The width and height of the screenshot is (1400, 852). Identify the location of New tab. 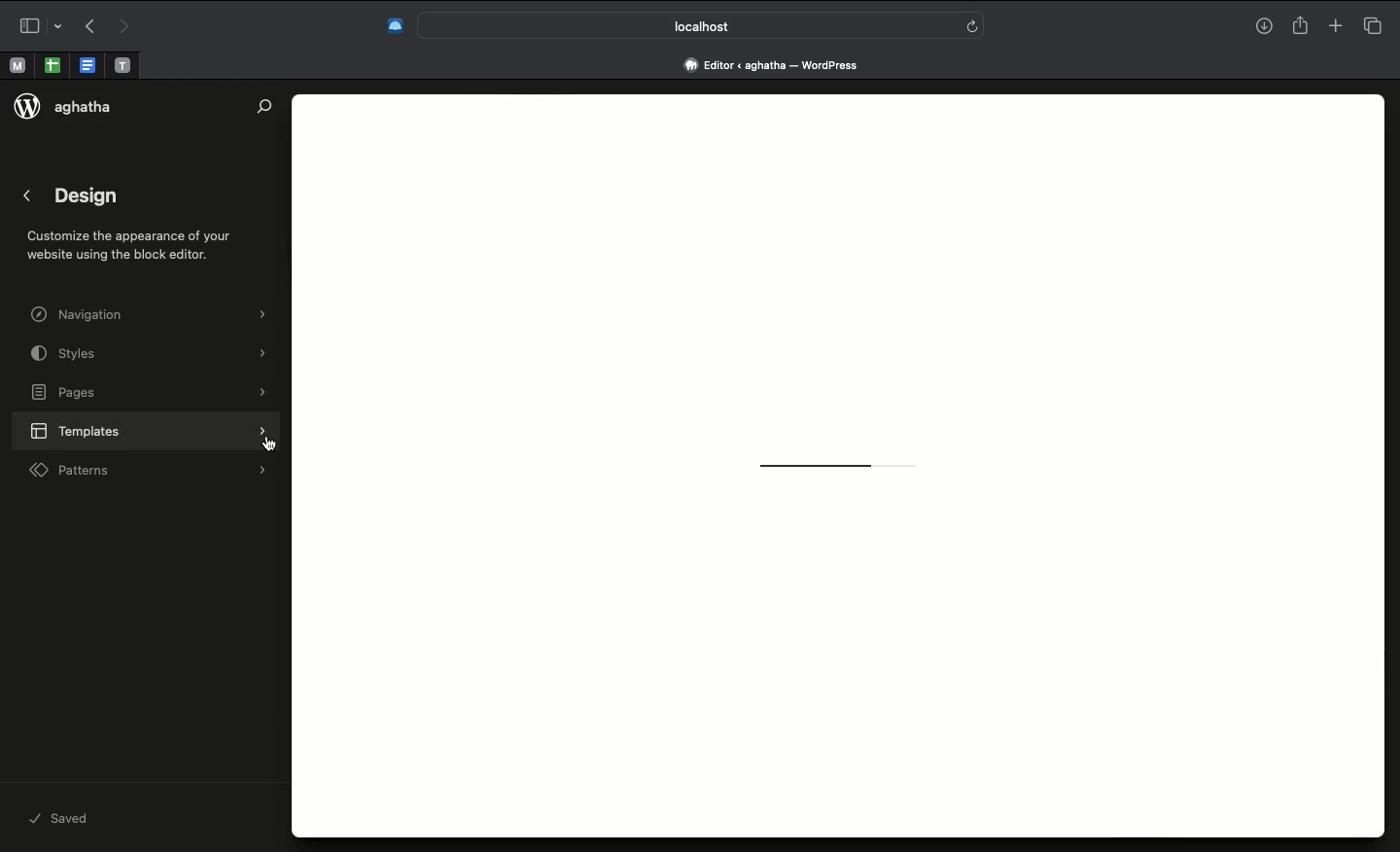
(1336, 27).